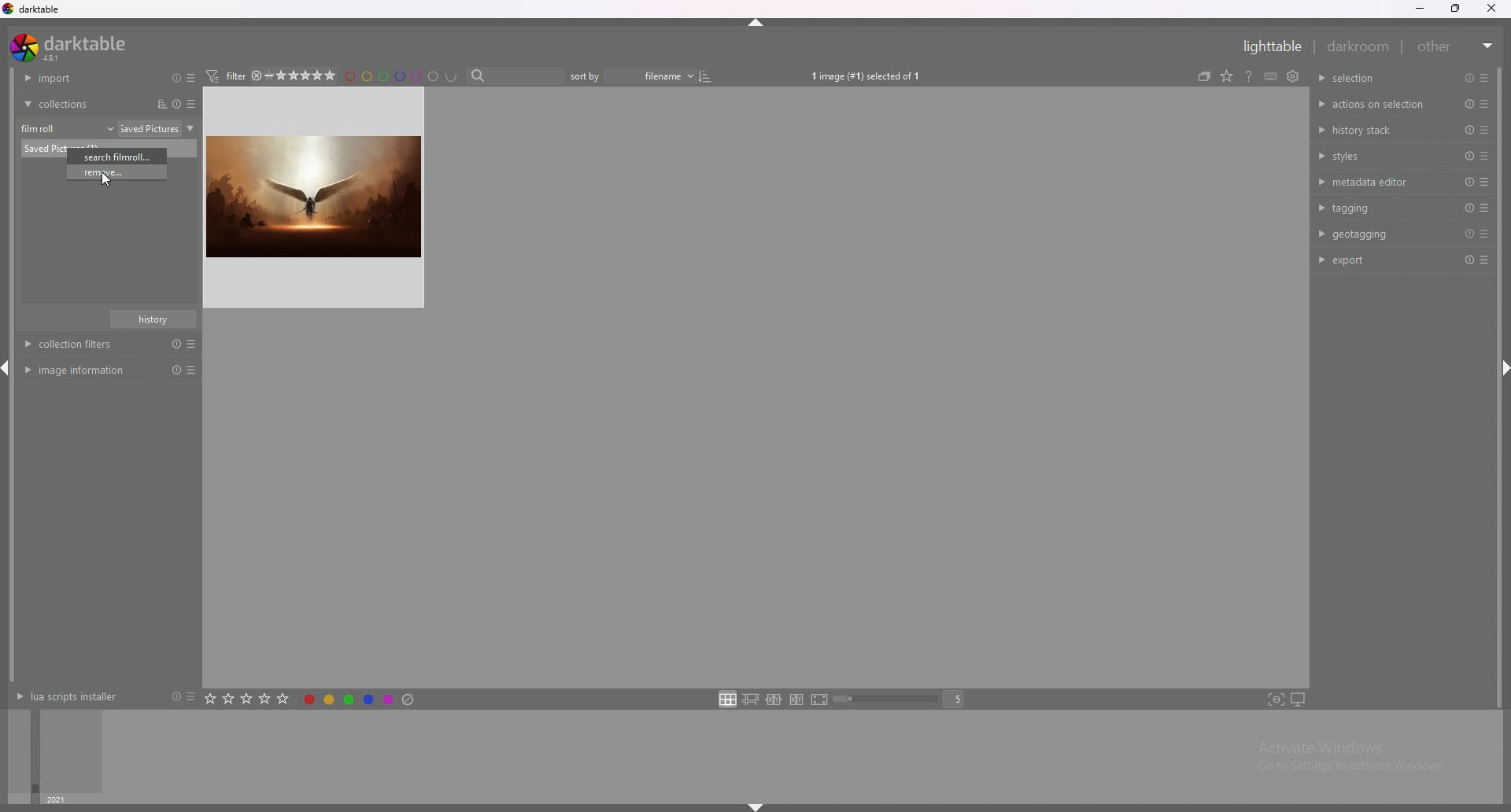  I want to click on metadata editor, so click(1376, 182).